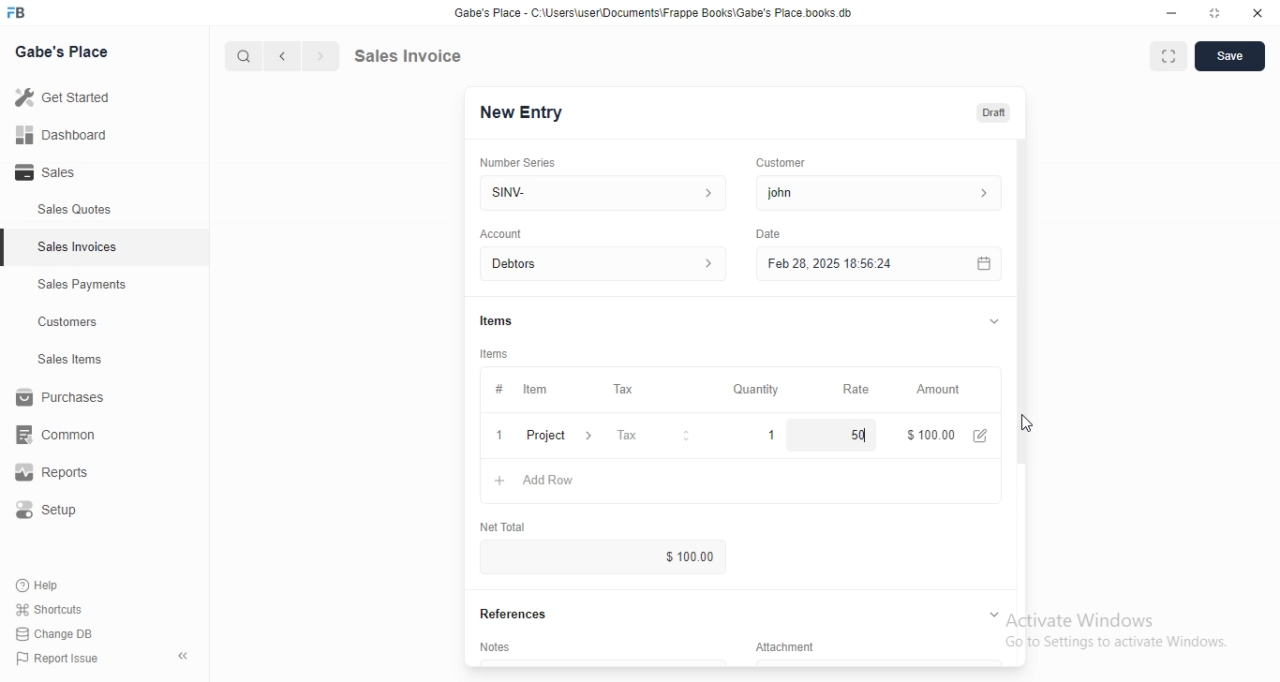 The height and width of the screenshot is (682, 1280). What do you see at coordinates (1257, 14) in the screenshot?
I see `close` at bounding box center [1257, 14].